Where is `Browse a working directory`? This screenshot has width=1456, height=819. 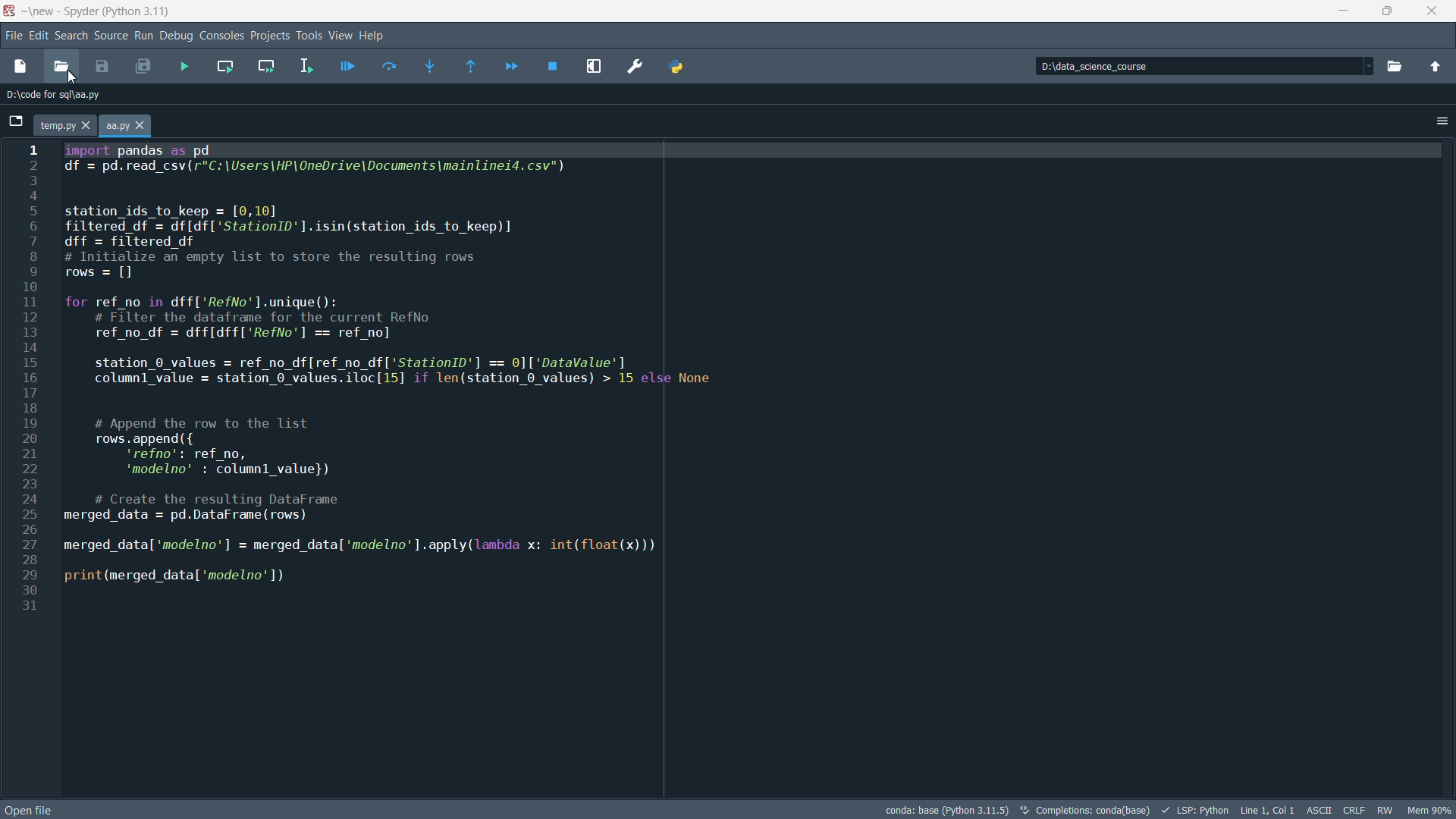
Browse a working directory is located at coordinates (1397, 65).